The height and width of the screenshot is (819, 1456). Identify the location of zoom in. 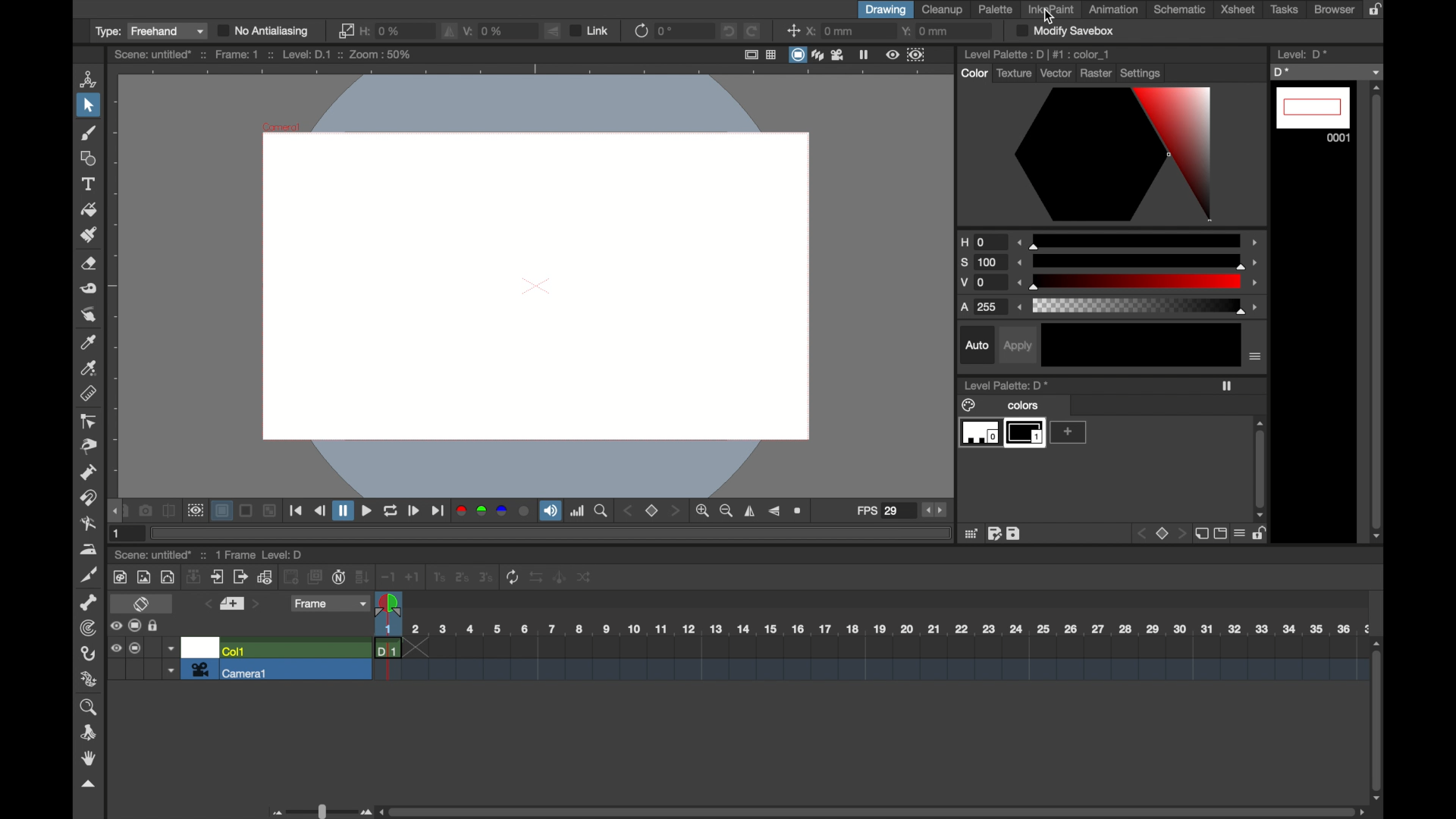
(702, 511).